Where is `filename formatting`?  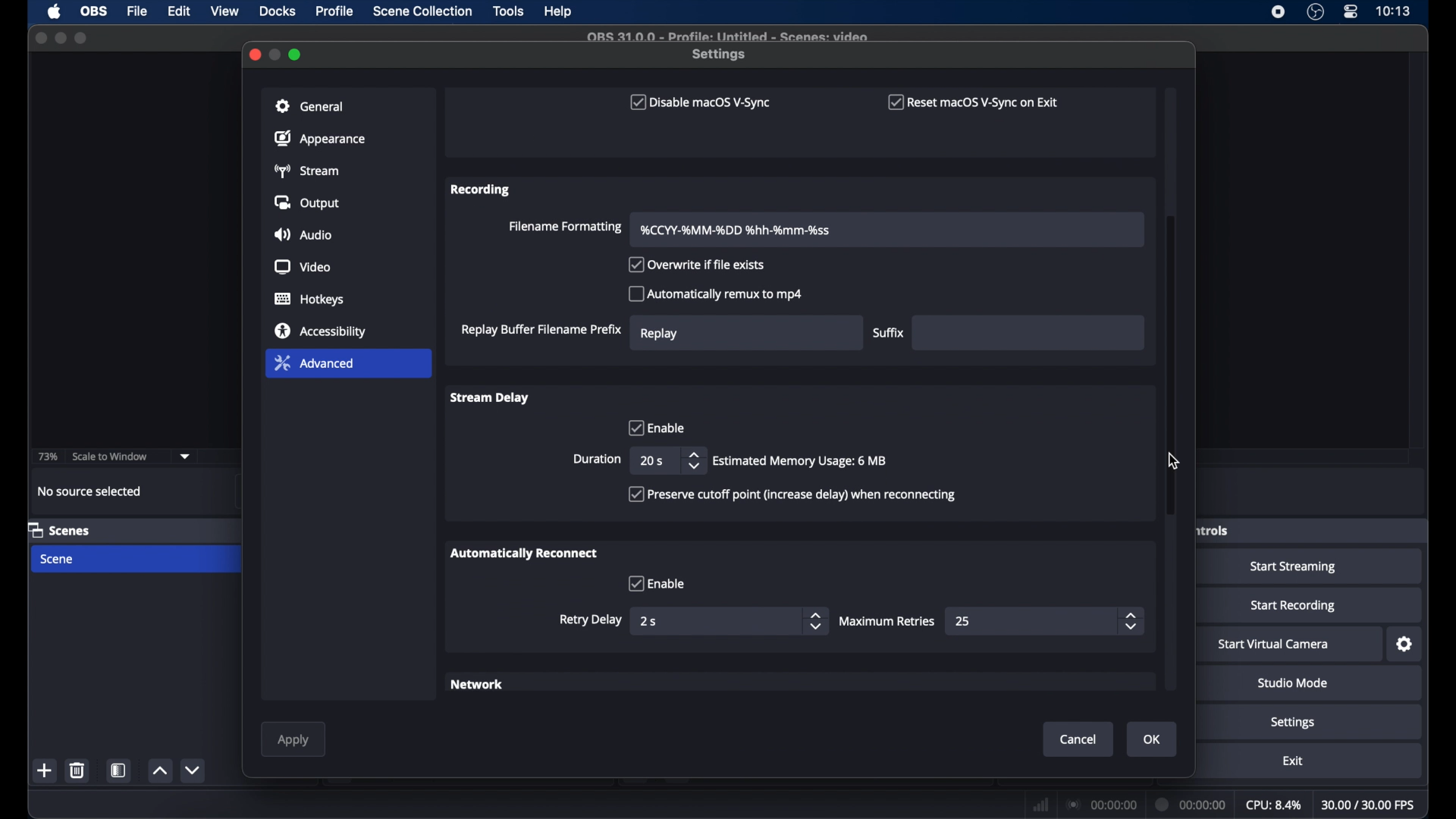
filename formatting is located at coordinates (563, 227).